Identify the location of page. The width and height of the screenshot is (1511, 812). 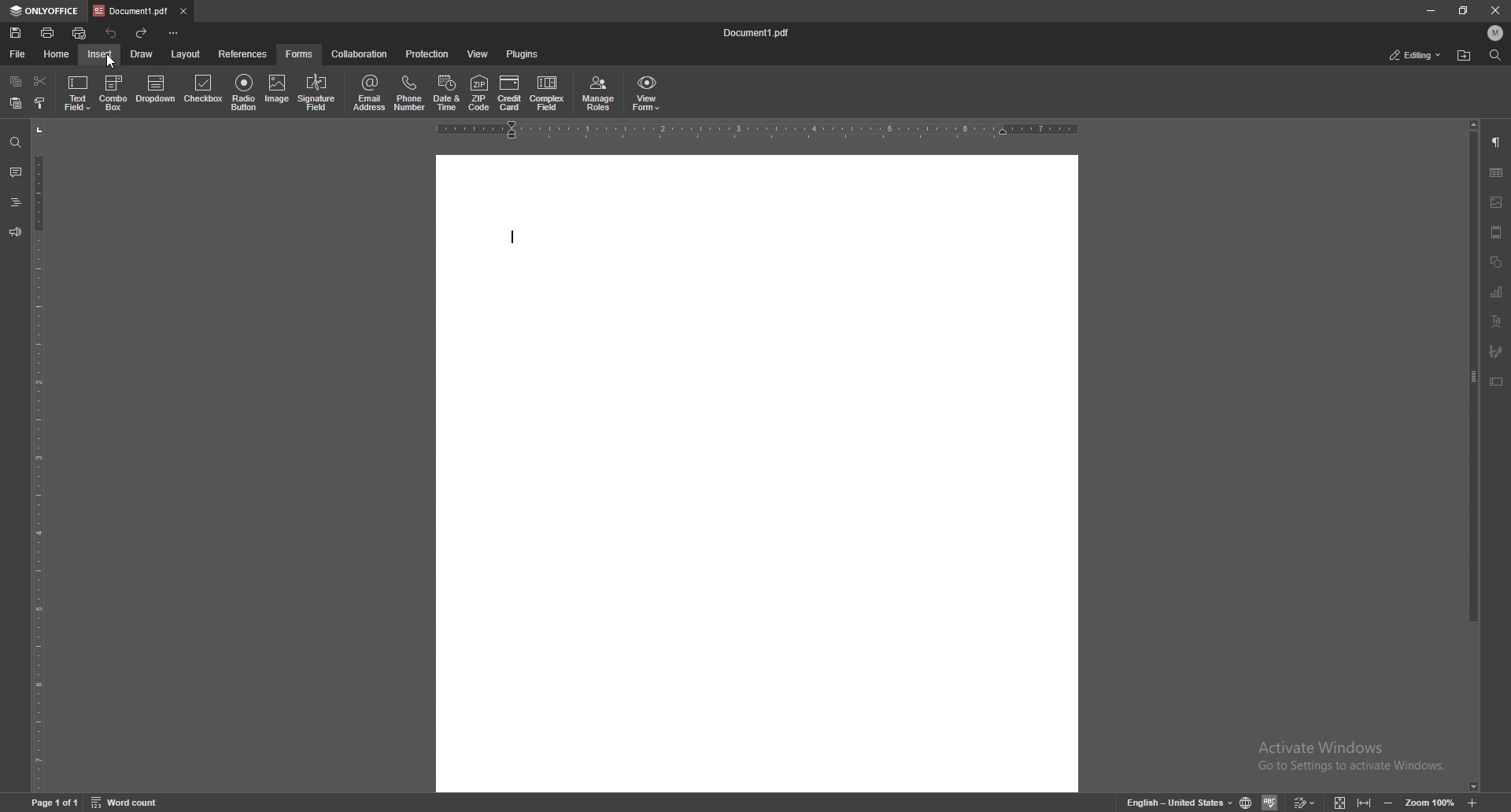
(56, 803).